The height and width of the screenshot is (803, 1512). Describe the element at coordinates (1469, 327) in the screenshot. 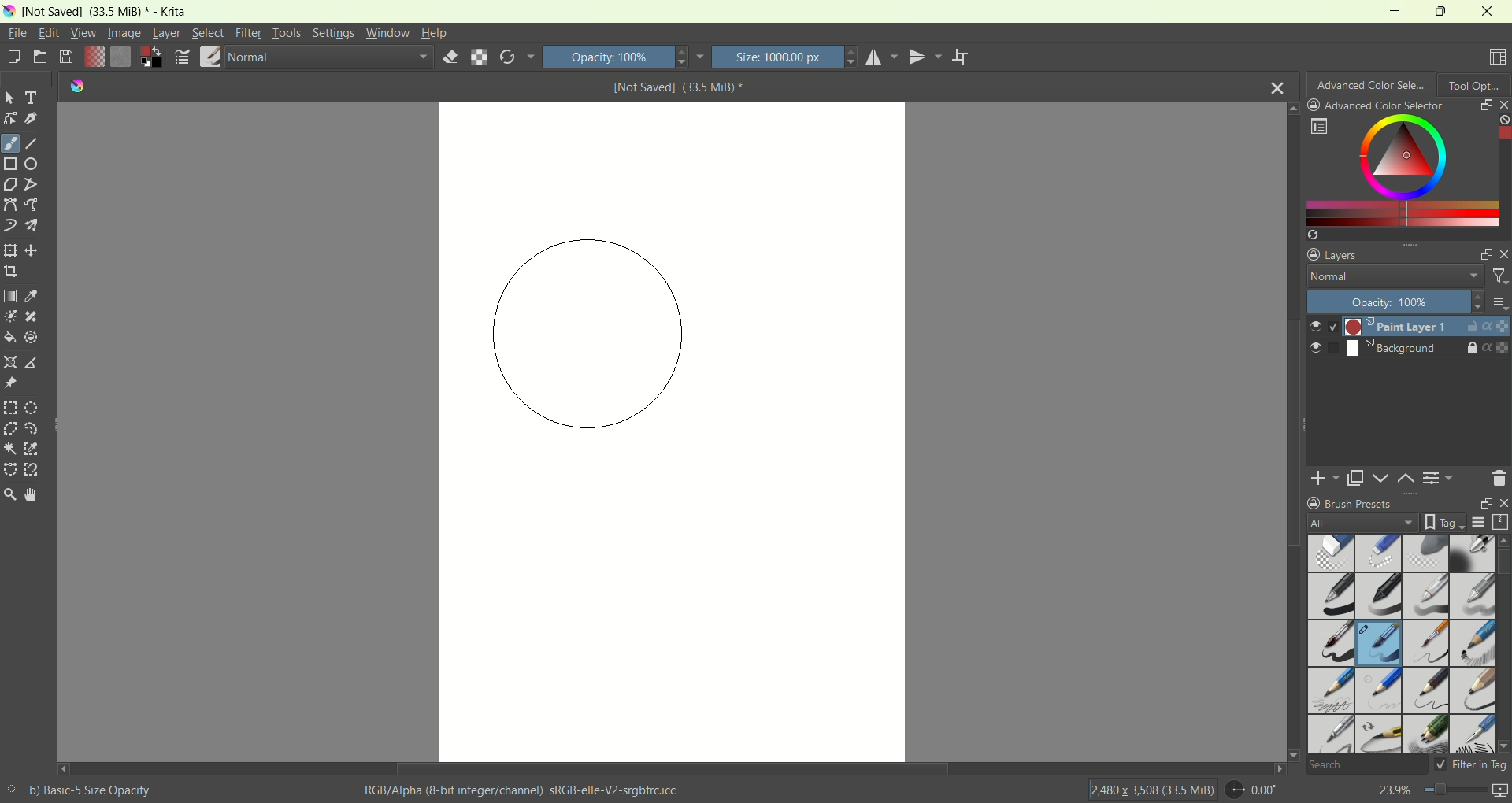

I see `unlock` at that location.